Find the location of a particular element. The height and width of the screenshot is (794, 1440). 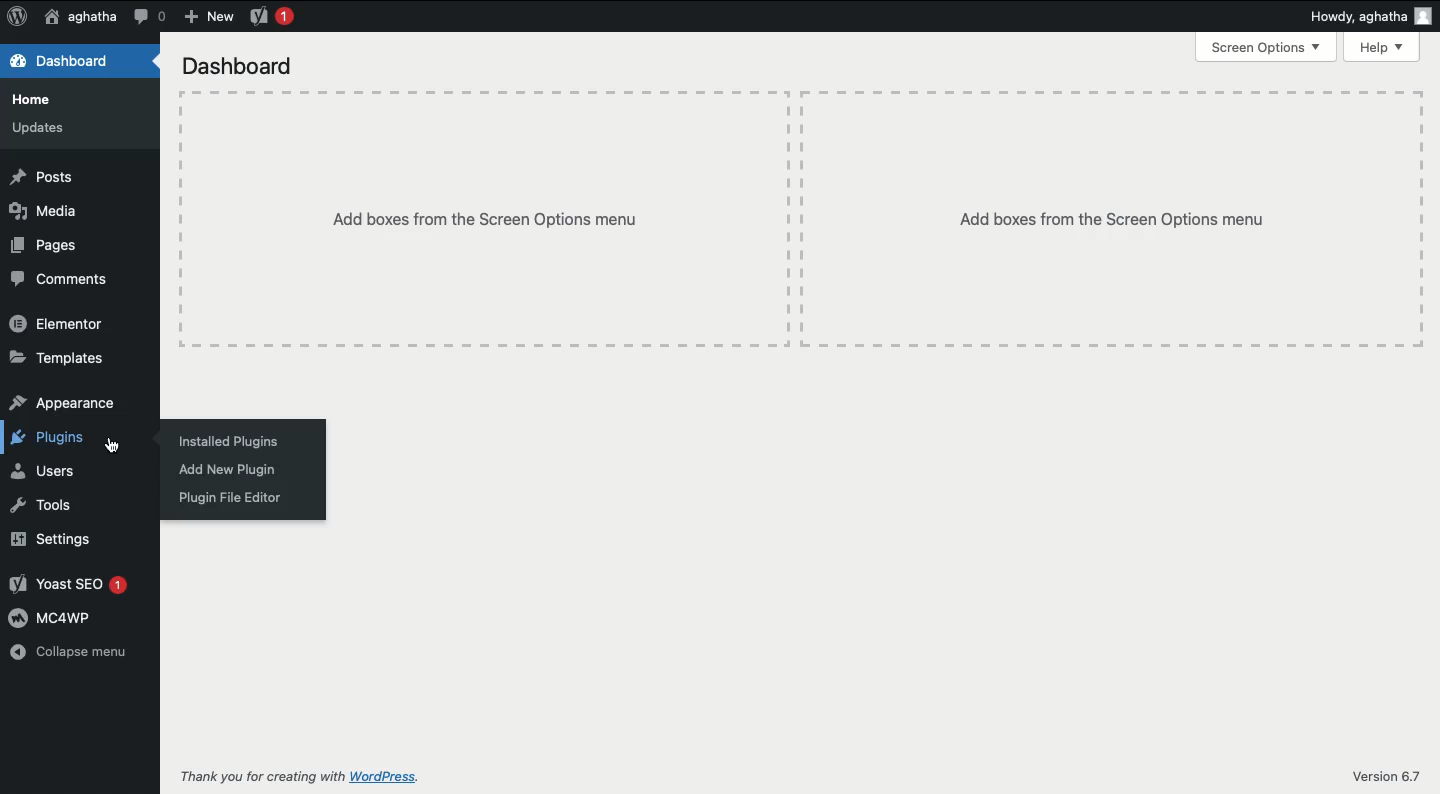

Dashboard is located at coordinates (242, 67).